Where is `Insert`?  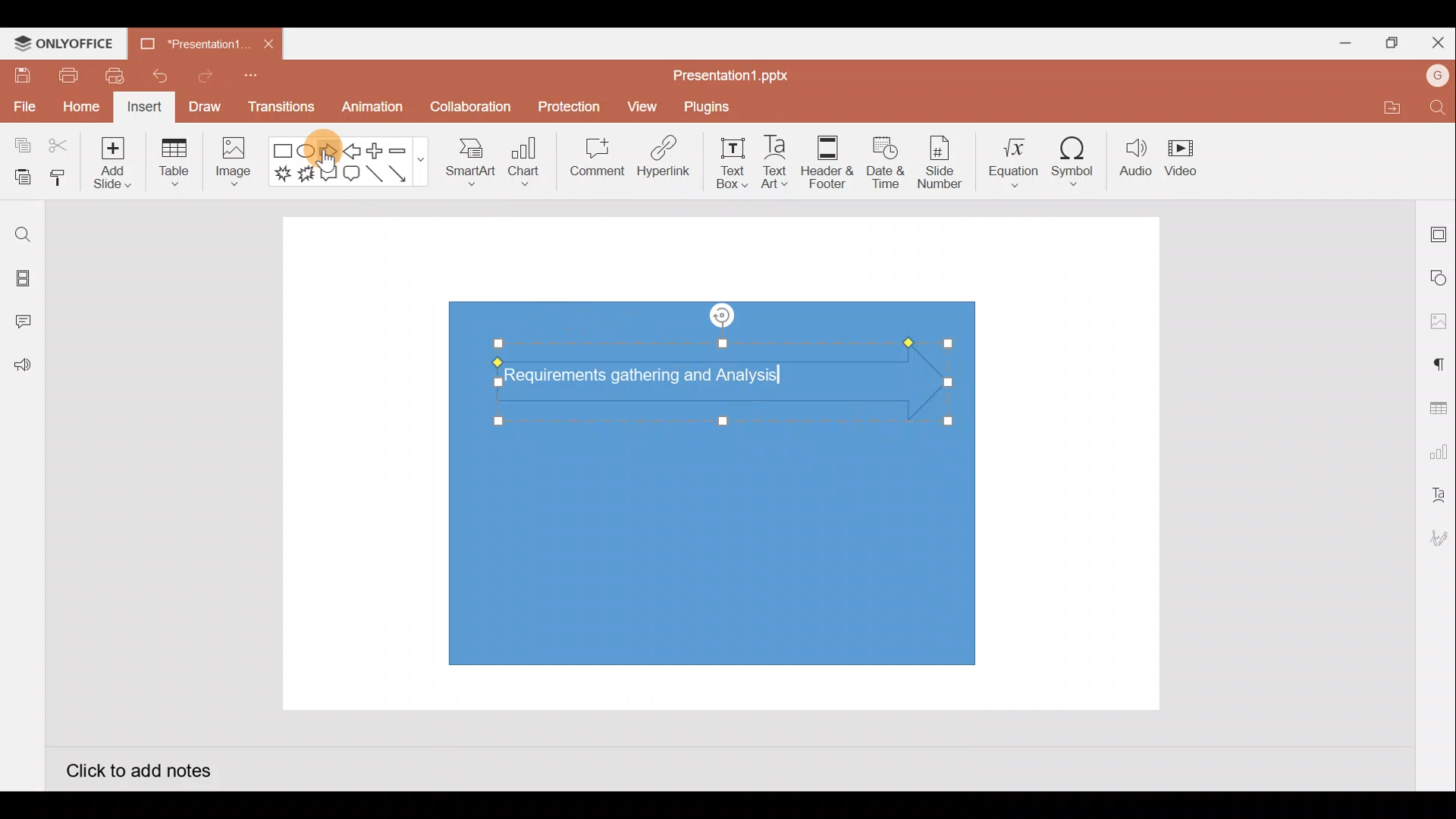 Insert is located at coordinates (145, 108).